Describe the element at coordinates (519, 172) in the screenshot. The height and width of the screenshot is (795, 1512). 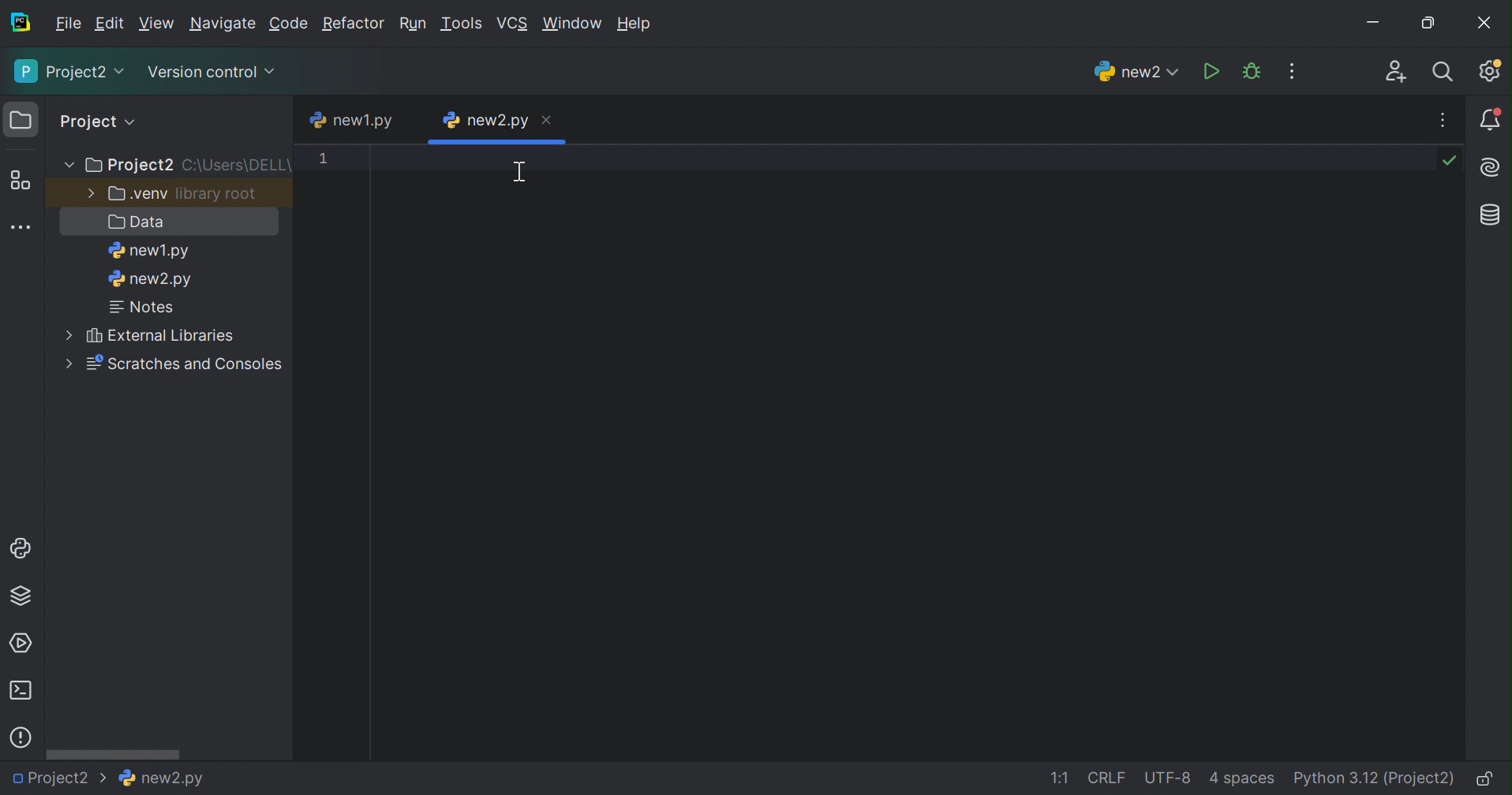
I see `Cursor` at that location.